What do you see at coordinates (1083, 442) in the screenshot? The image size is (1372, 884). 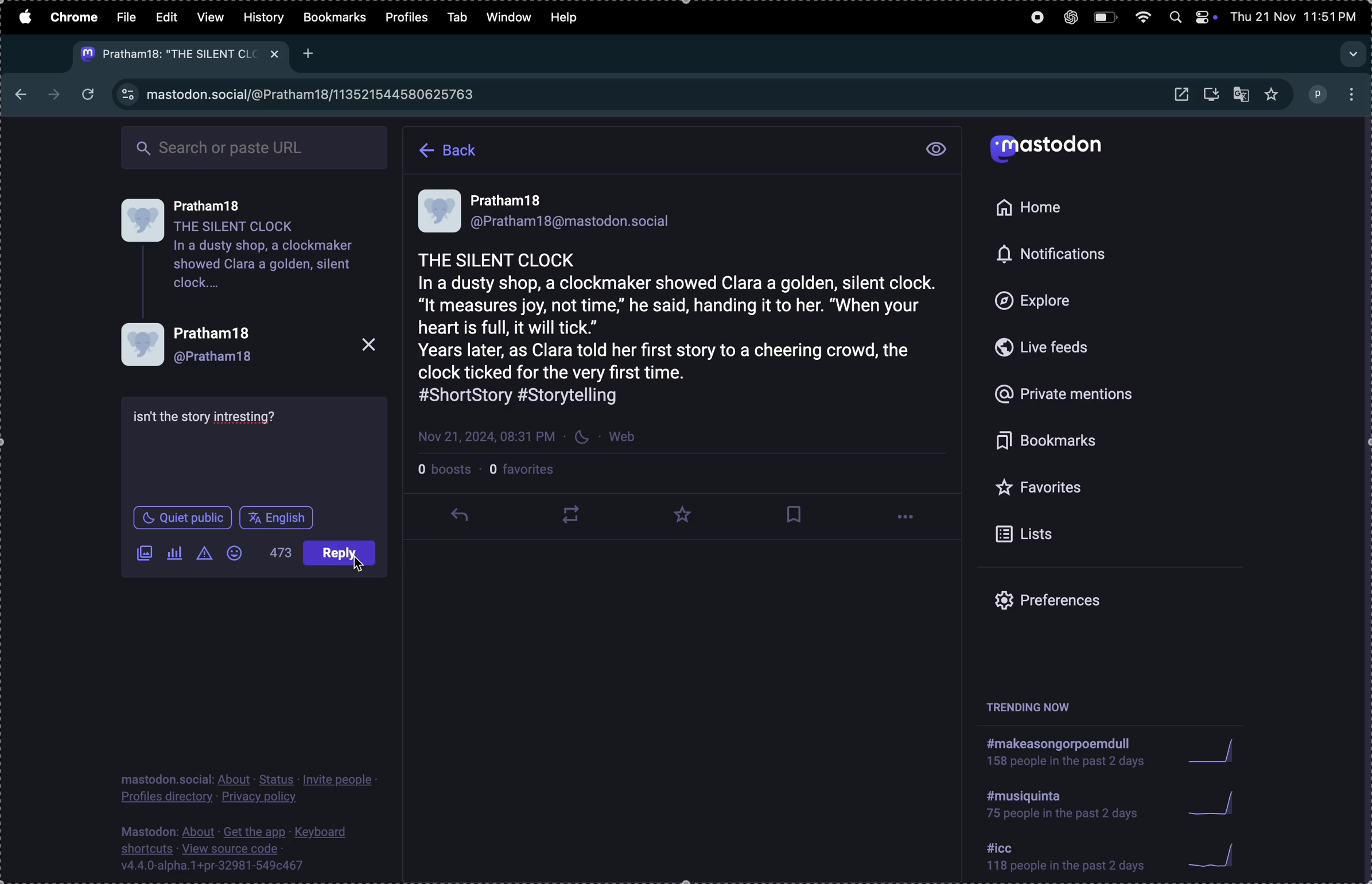 I see `bookmark` at bounding box center [1083, 442].